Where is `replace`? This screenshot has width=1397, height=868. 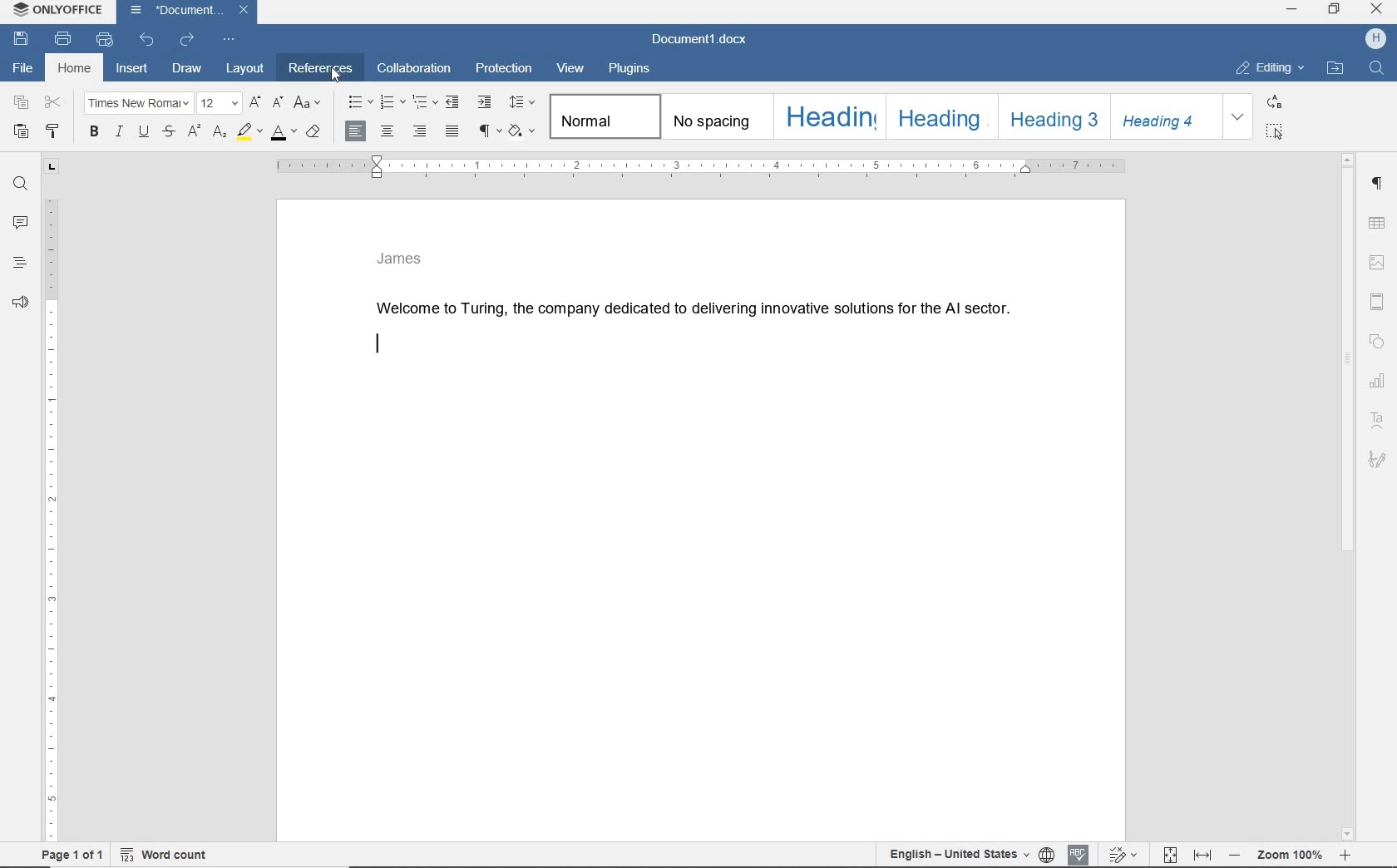 replace is located at coordinates (1275, 103).